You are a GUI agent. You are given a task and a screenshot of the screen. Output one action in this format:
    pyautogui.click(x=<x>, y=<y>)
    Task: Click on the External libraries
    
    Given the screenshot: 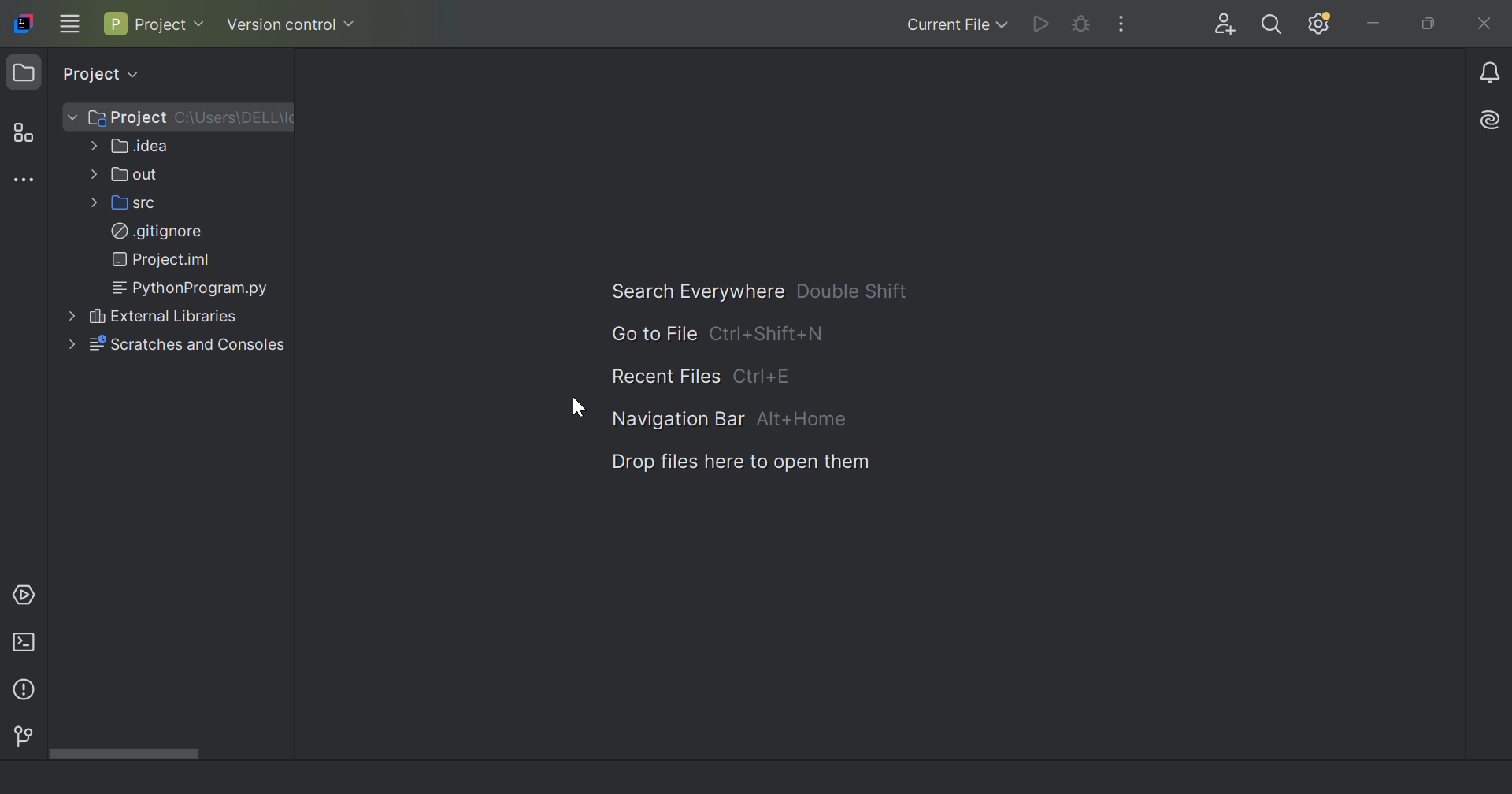 What is the action you would take?
    pyautogui.click(x=154, y=317)
    